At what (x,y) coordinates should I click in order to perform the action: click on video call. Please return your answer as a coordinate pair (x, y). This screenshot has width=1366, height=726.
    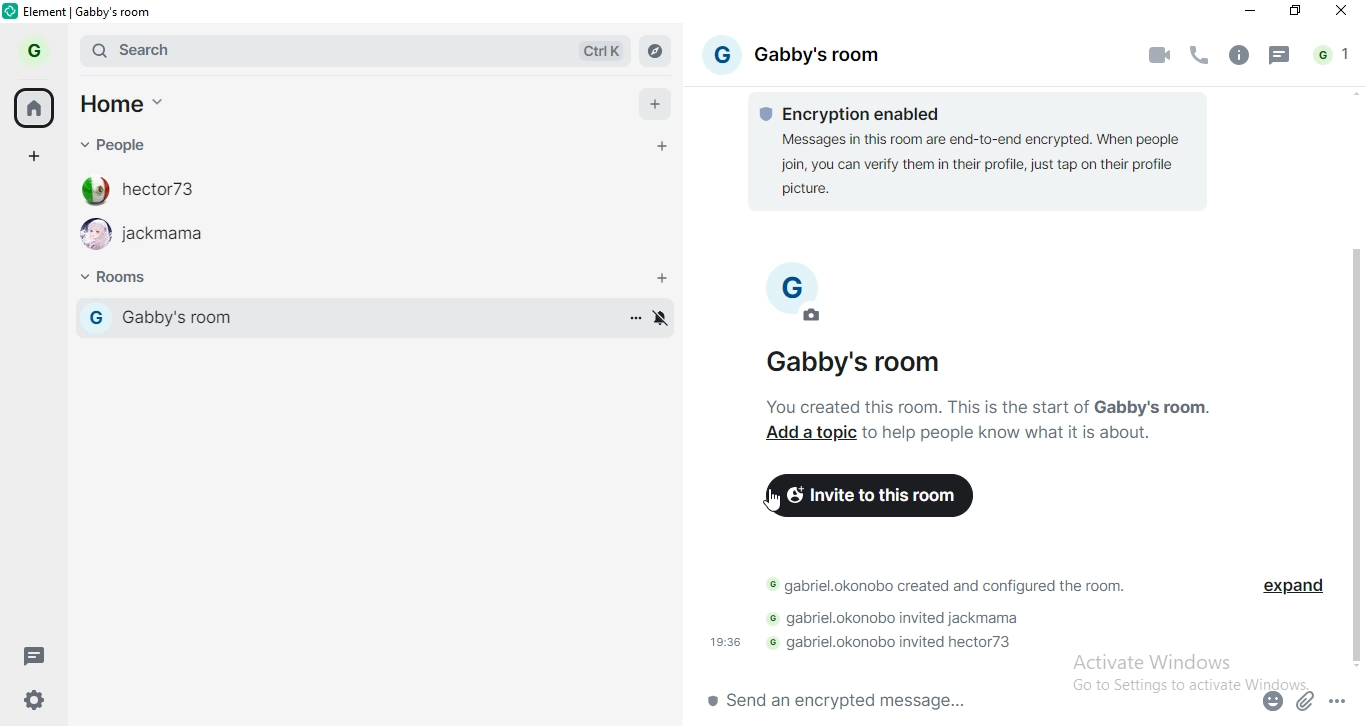
    Looking at the image, I should click on (1151, 58).